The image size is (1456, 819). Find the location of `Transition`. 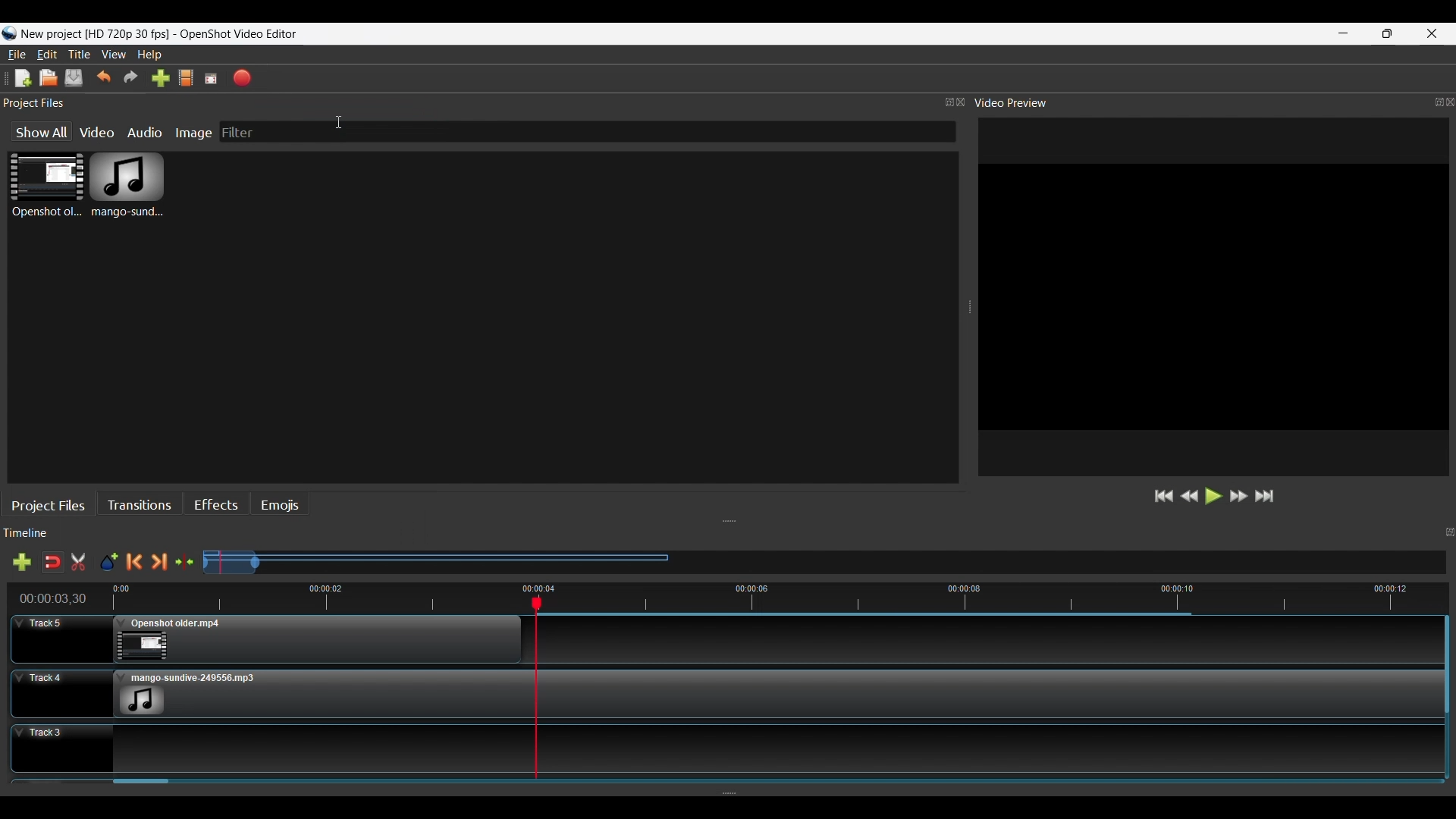

Transition is located at coordinates (140, 502).